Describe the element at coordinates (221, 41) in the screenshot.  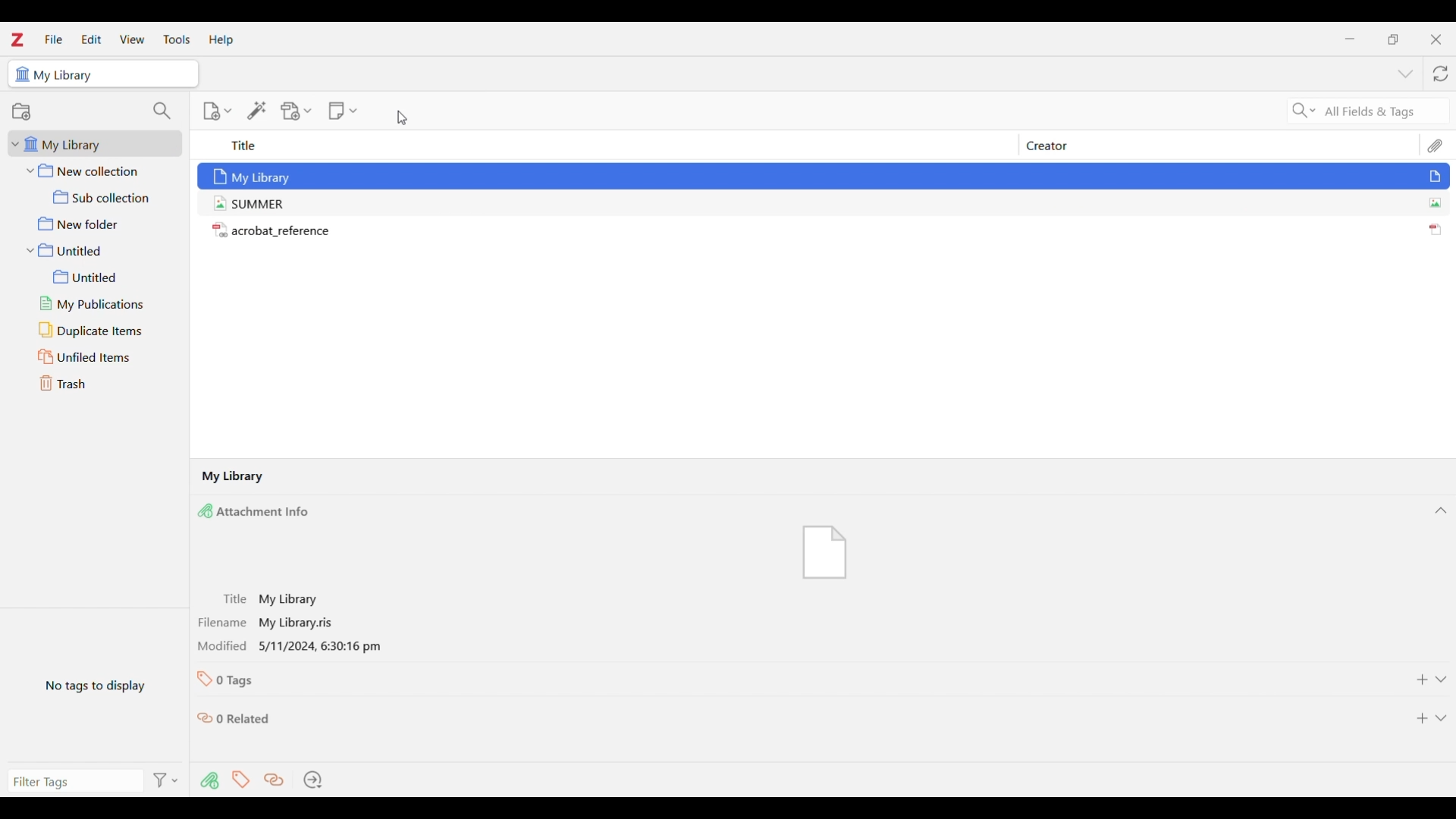
I see `Help menu` at that location.